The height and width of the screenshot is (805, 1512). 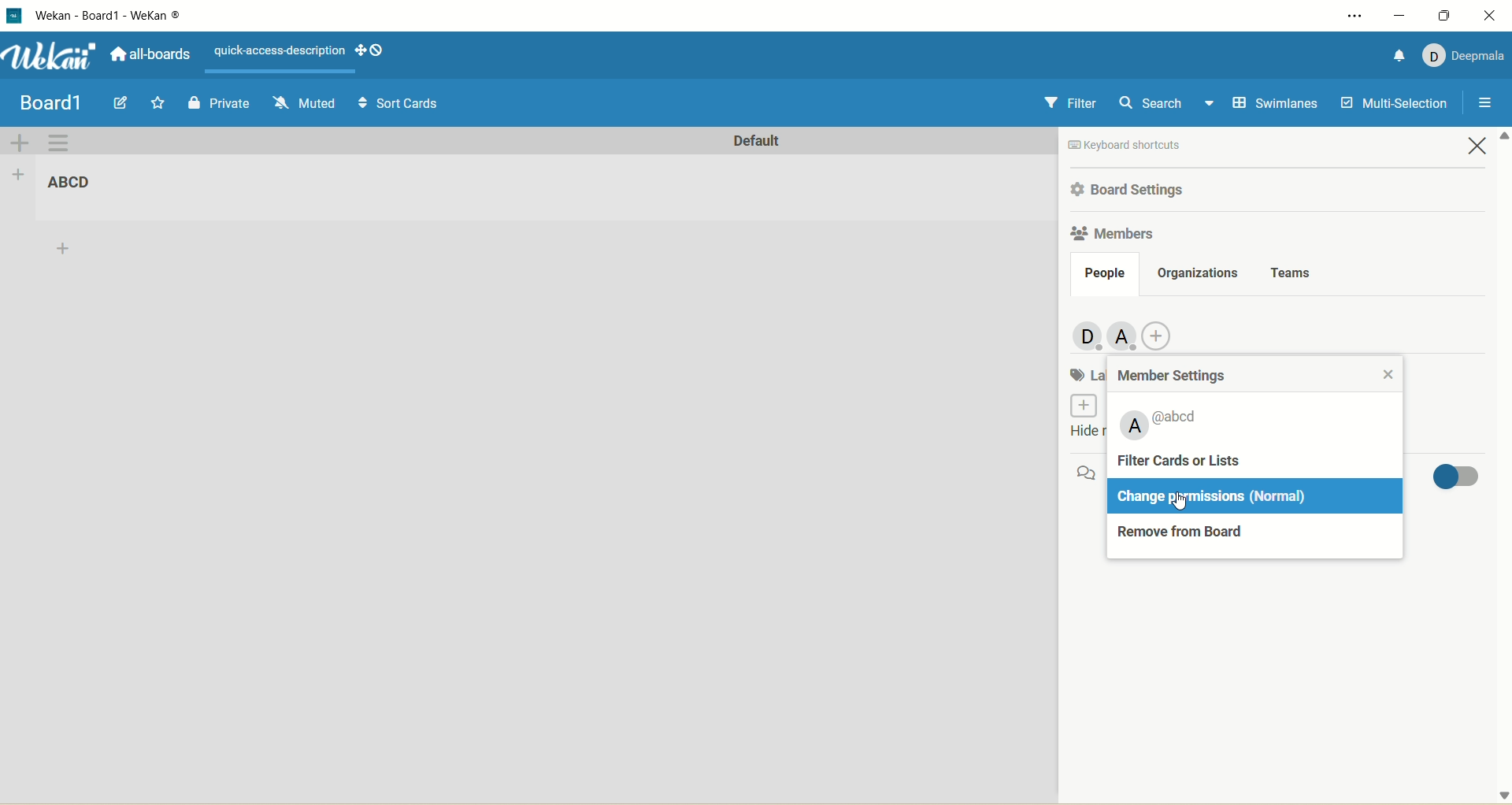 What do you see at coordinates (160, 102) in the screenshot?
I see `Start` at bounding box center [160, 102].